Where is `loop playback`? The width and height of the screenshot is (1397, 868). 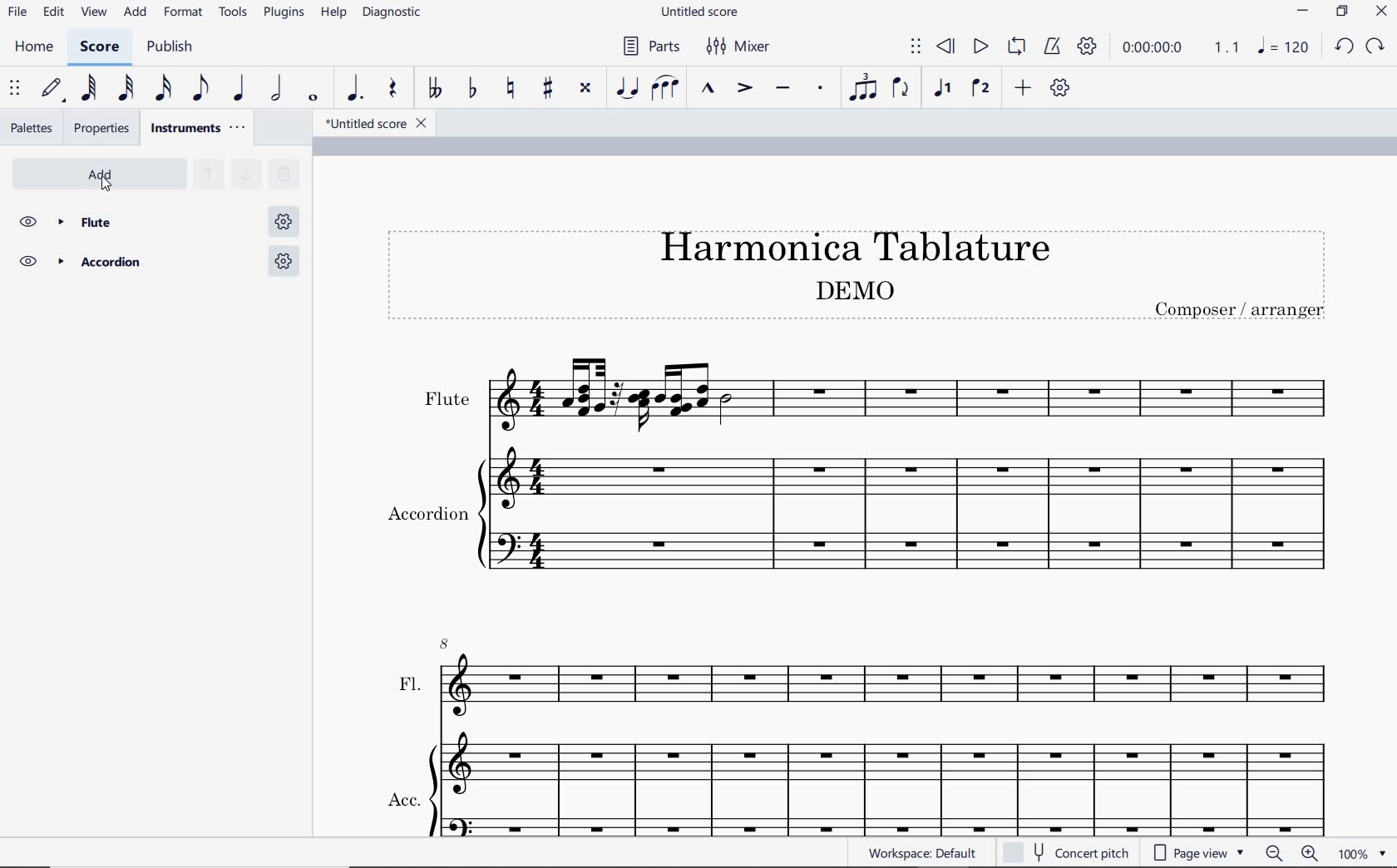 loop playback is located at coordinates (1017, 47).